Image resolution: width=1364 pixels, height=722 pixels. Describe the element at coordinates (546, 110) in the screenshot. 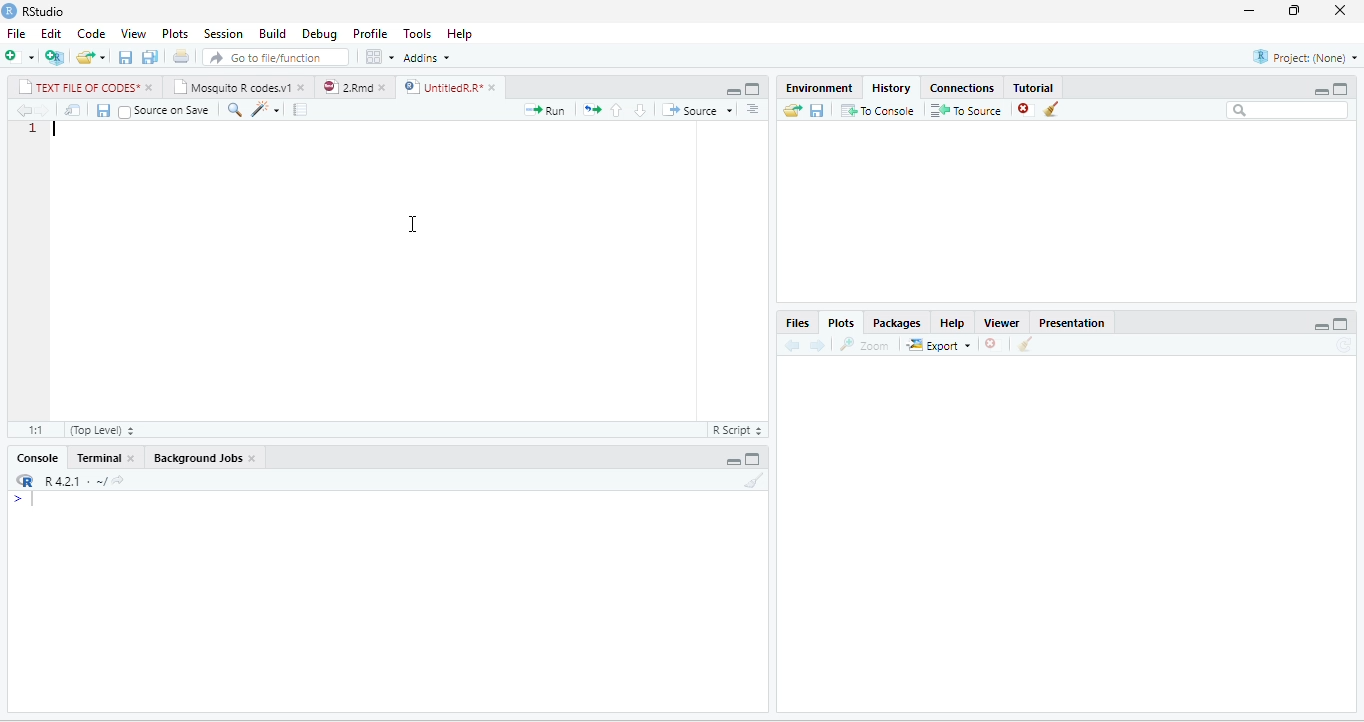

I see `run` at that location.